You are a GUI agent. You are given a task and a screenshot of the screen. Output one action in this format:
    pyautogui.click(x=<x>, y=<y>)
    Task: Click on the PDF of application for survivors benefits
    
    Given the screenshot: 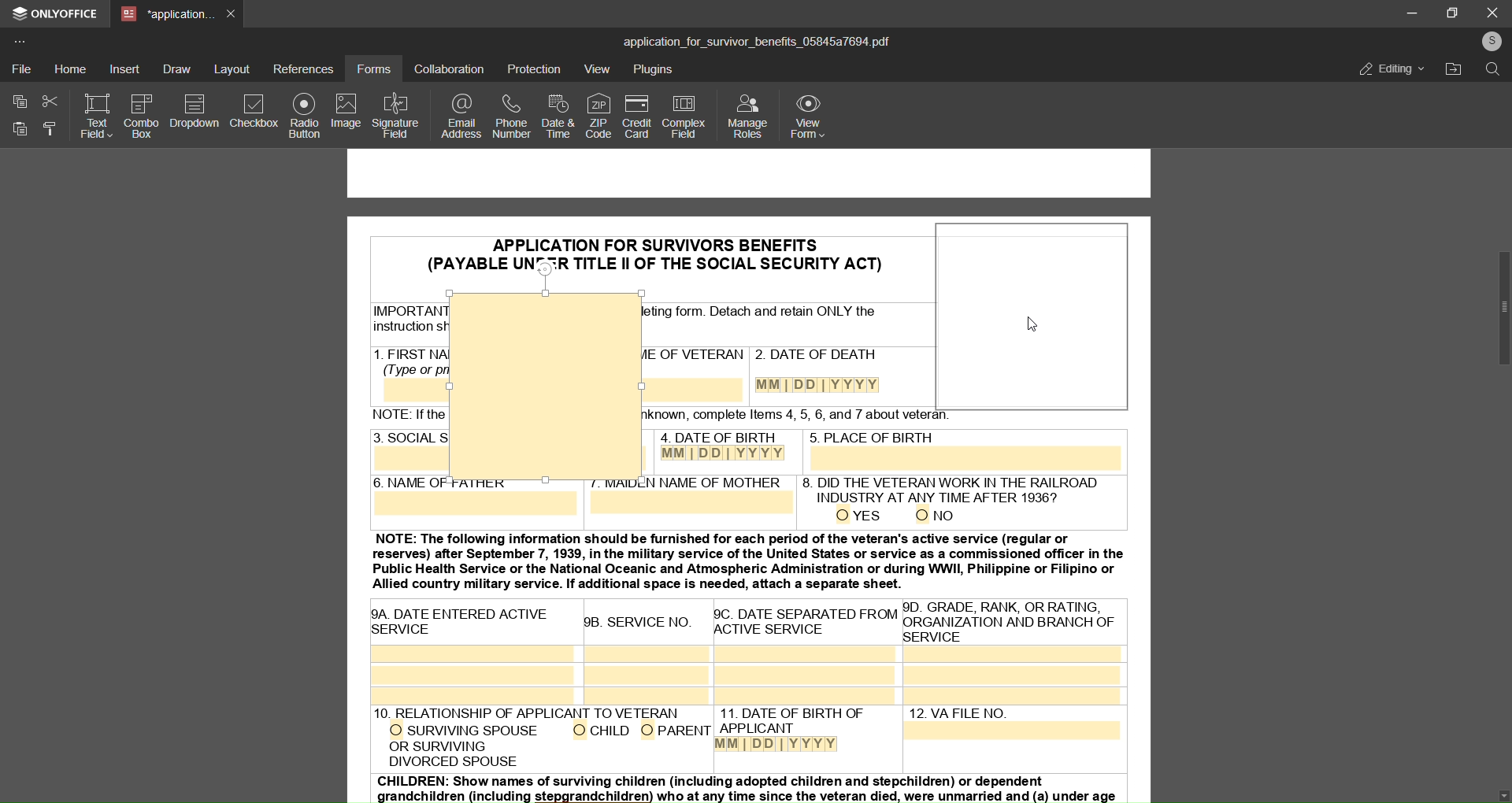 What is the action you would take?
    pyautogui.click(x=788, y=327)
    